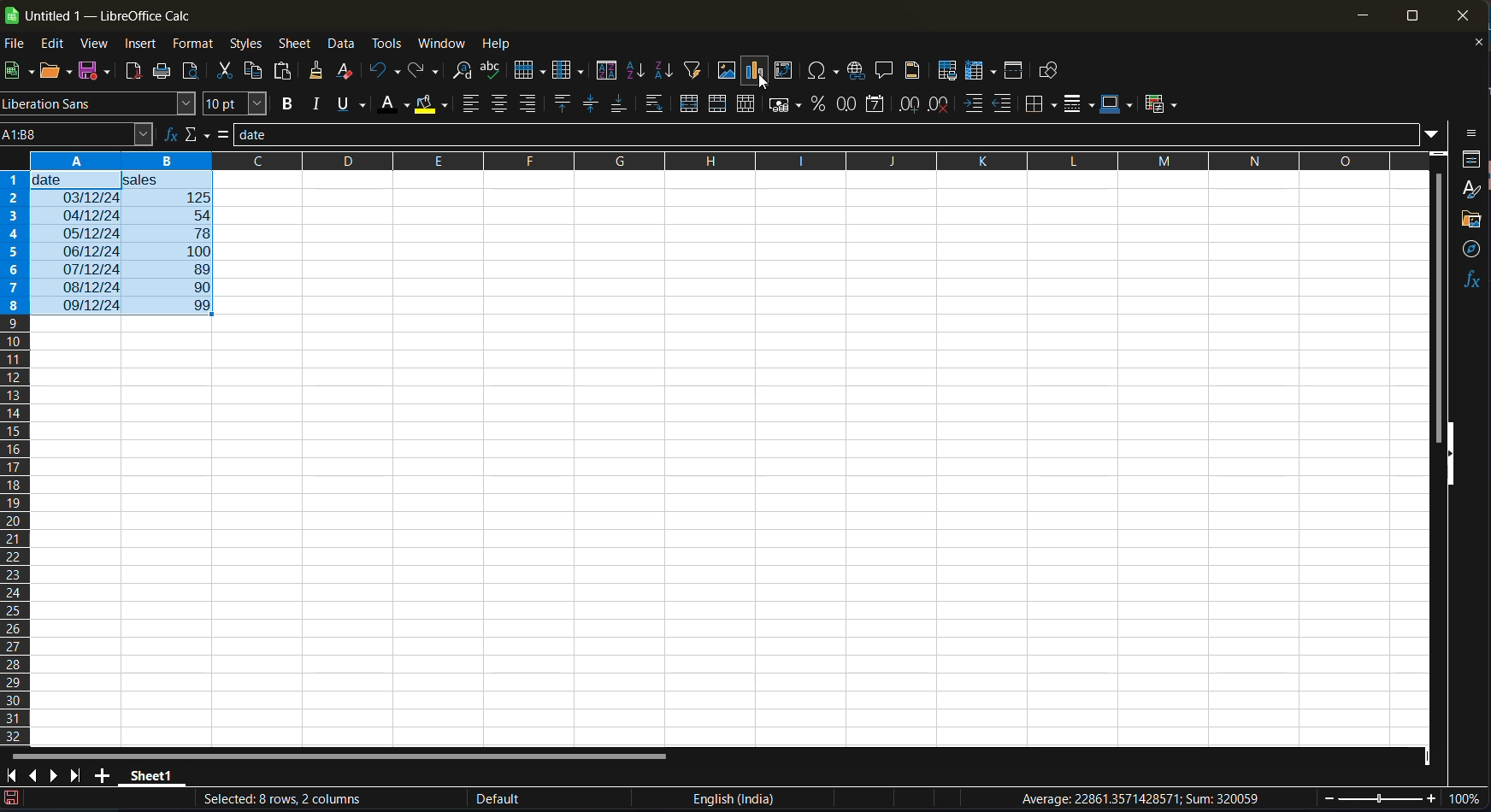 The height and width of the screenshot is (812, 1491). Describe the element at coordinates (335, 753) in the screenshot. I see `horizontal scroll bar` at that location.